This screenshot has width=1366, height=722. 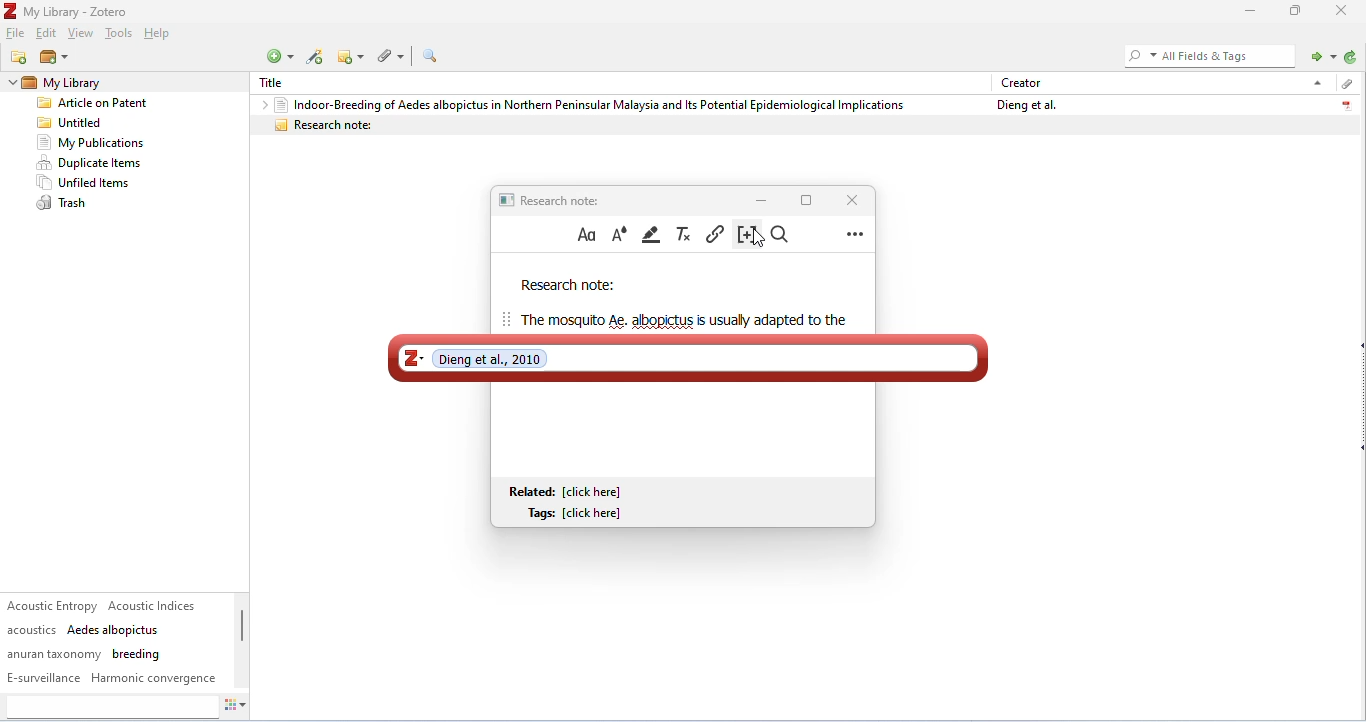 What do you see at coordinates (587, 235) in the screenshot?
I see `format text` at bounding box center [587, 235].